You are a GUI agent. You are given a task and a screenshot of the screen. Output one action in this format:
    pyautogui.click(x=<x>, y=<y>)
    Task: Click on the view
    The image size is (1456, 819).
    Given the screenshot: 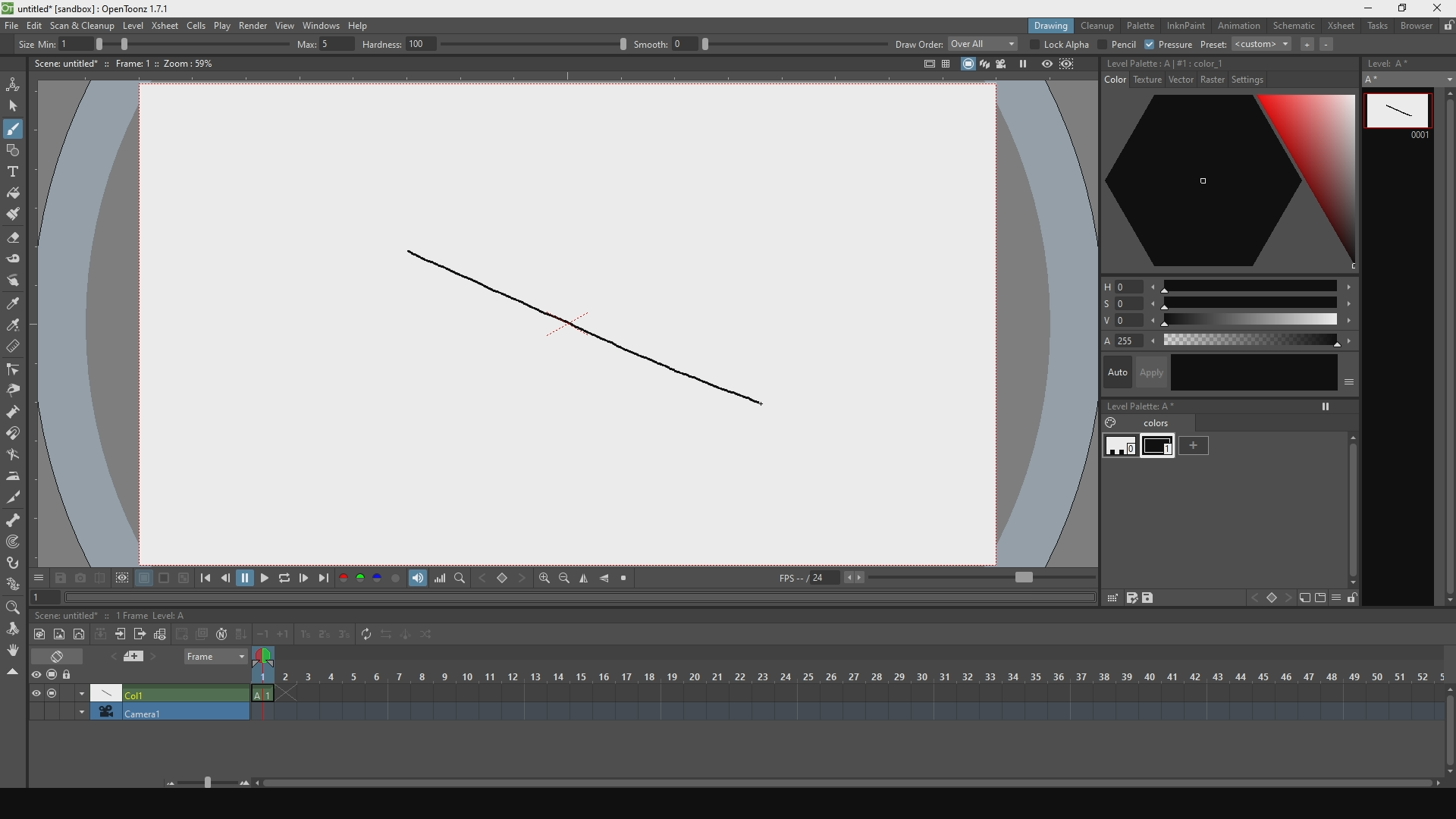 What is the action you would take?
    pyautogui.click(x=282, y=24)
    